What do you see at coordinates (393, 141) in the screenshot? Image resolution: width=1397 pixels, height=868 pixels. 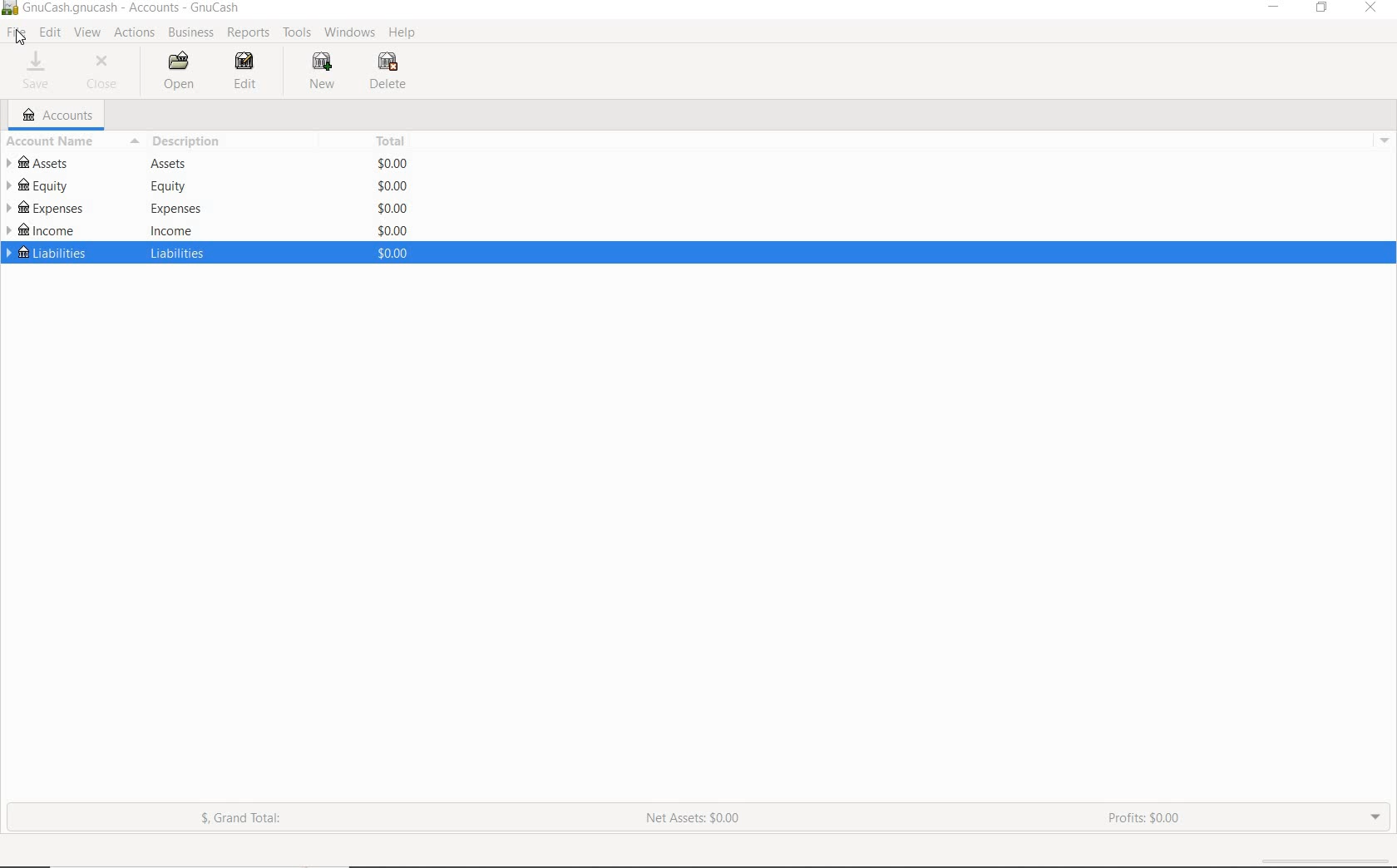 I see `TOTAL` at bounding box center [393, 141].